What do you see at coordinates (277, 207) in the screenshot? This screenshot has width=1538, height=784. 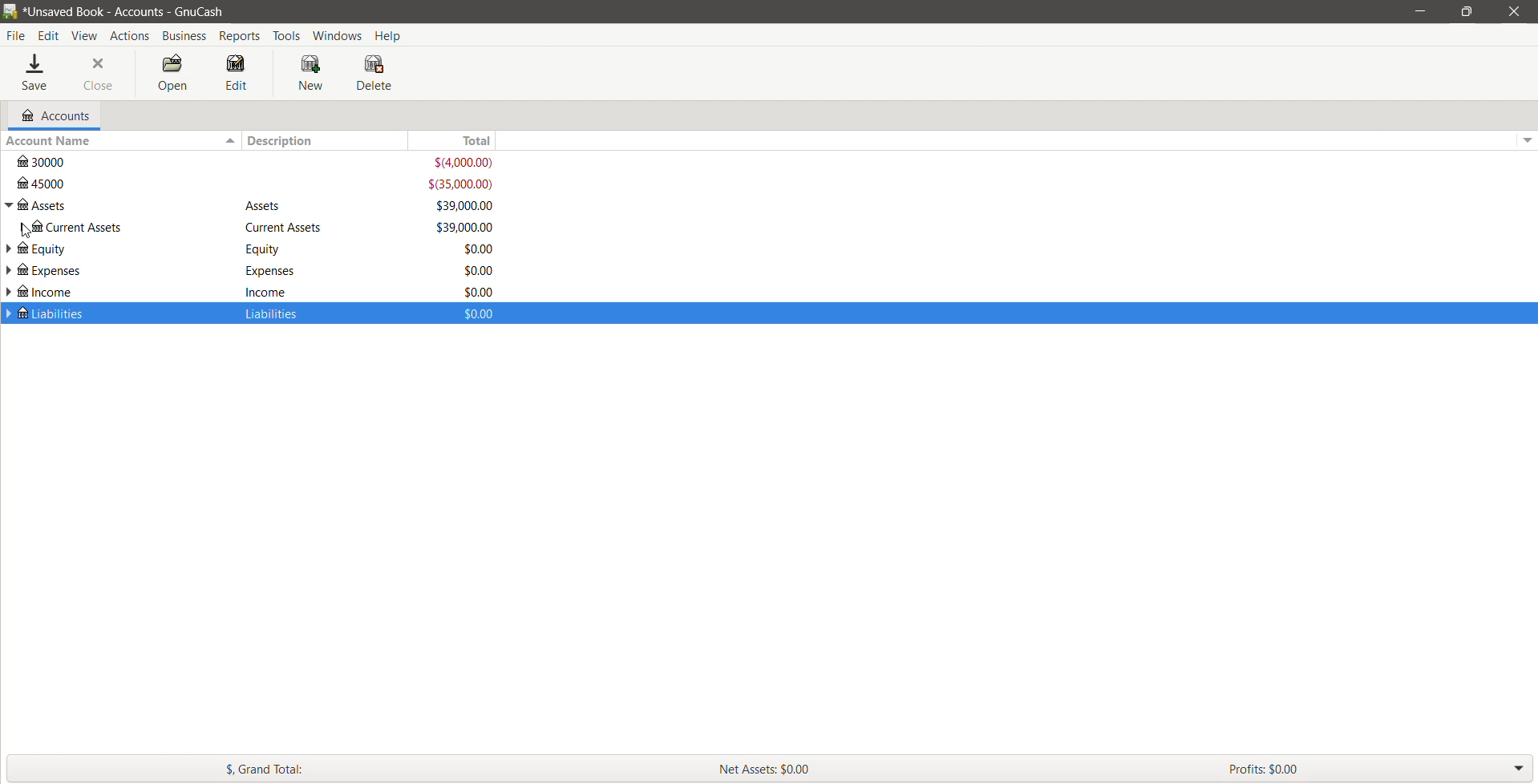 I see `Assets` at bounding box center [277, 207].